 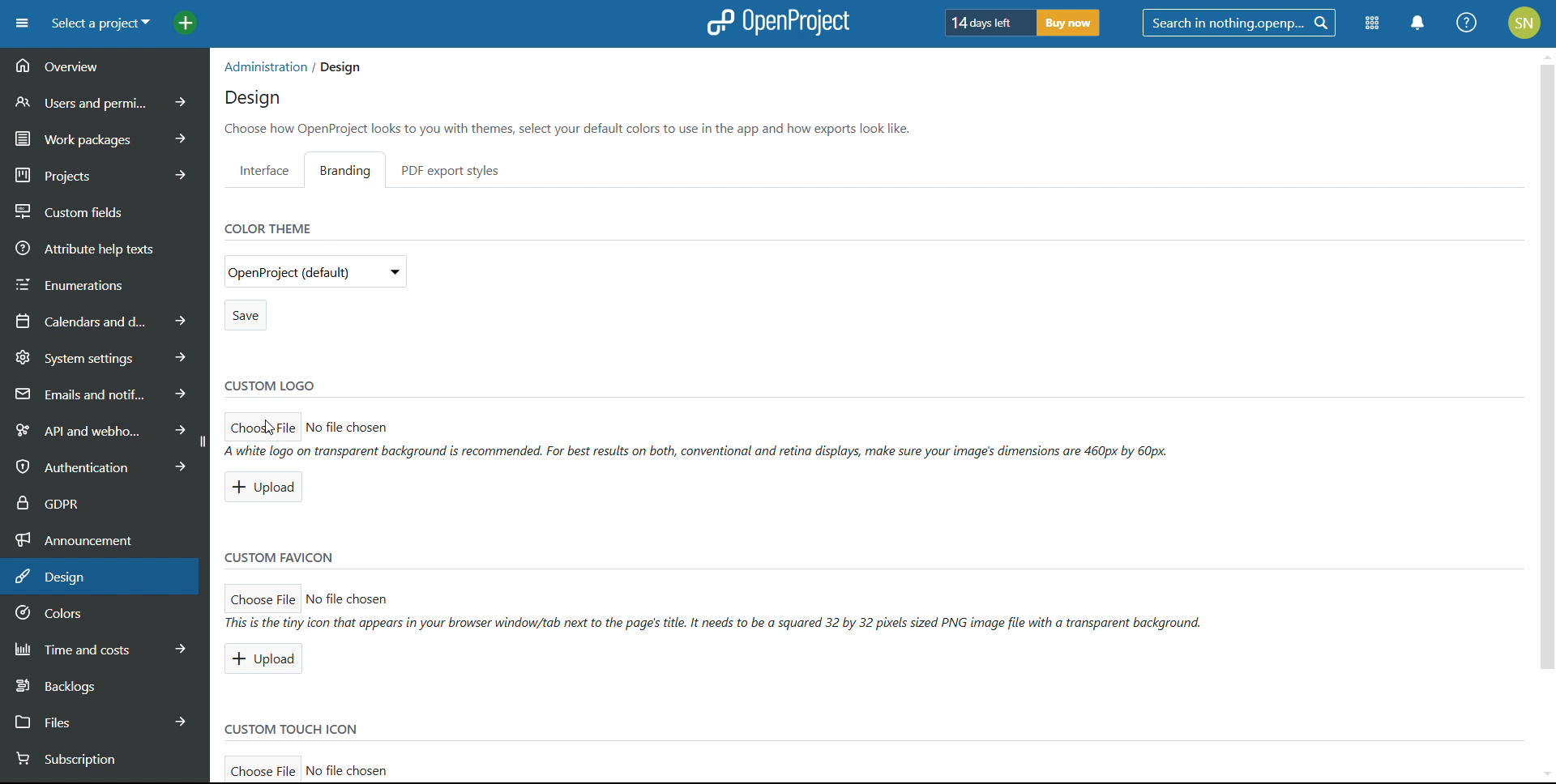 What do you see at coordinates (451, 170) in the screenshot?
I see `pdf export styles` at bounding box center [451, 170].